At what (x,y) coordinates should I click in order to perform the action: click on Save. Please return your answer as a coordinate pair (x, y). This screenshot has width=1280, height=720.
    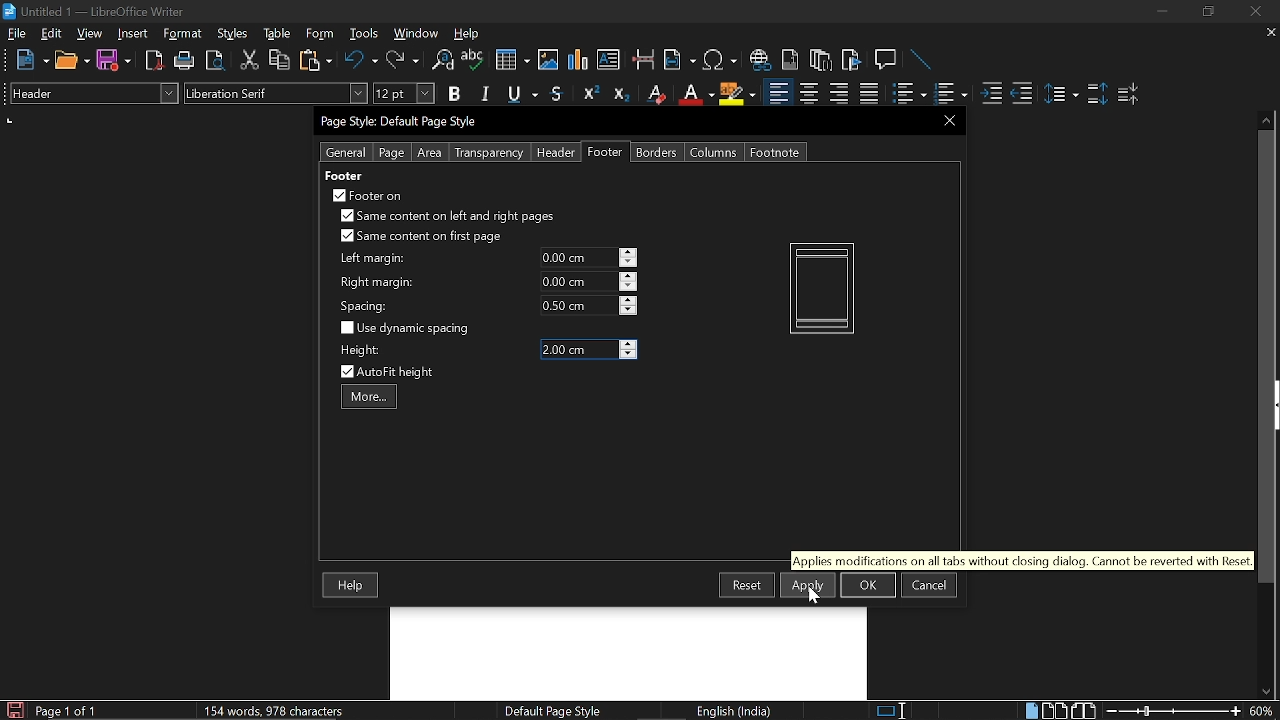
    Looking at the image, I should click on (13, 710).